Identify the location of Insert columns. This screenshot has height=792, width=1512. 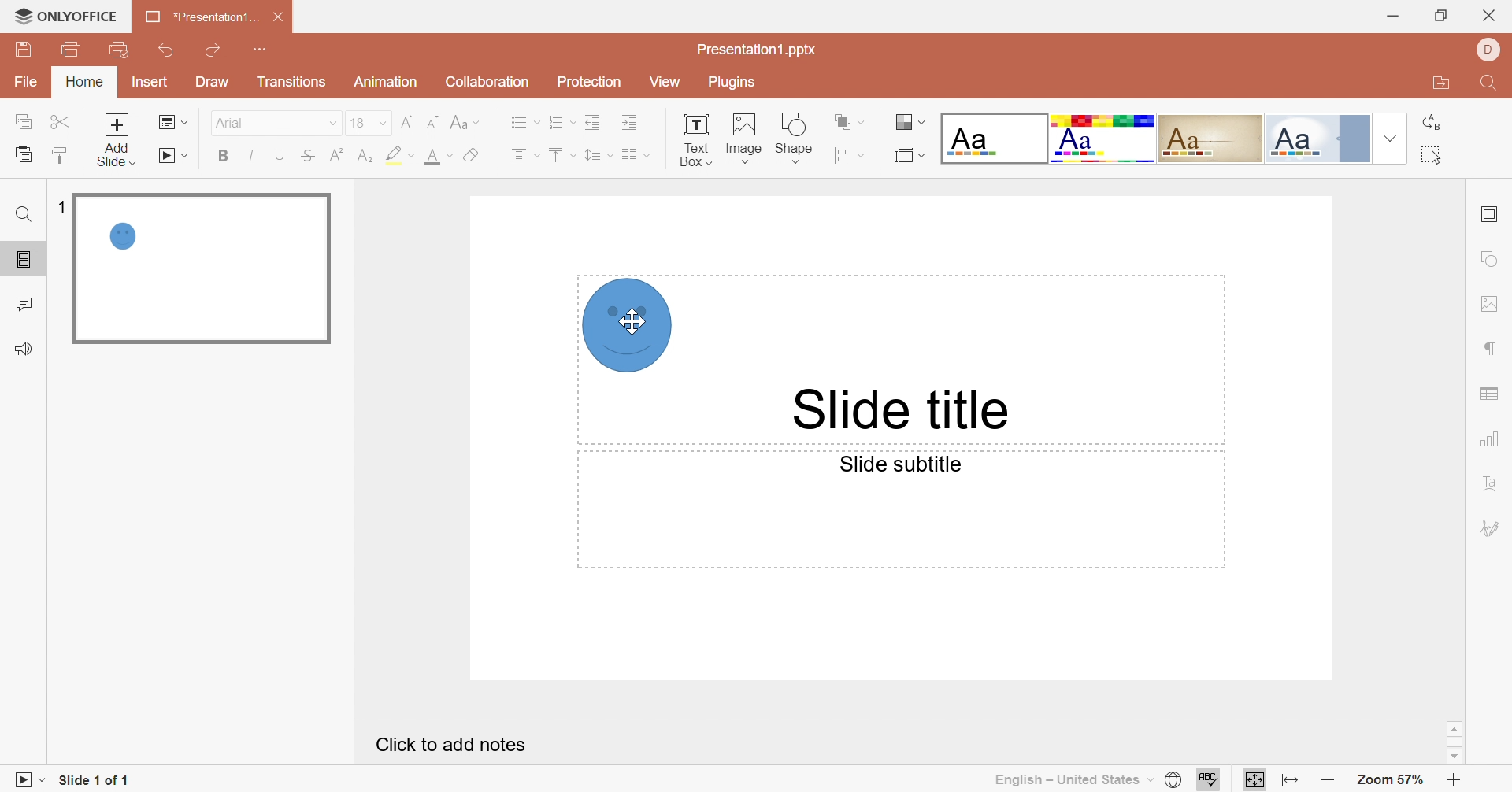
(636, 155).